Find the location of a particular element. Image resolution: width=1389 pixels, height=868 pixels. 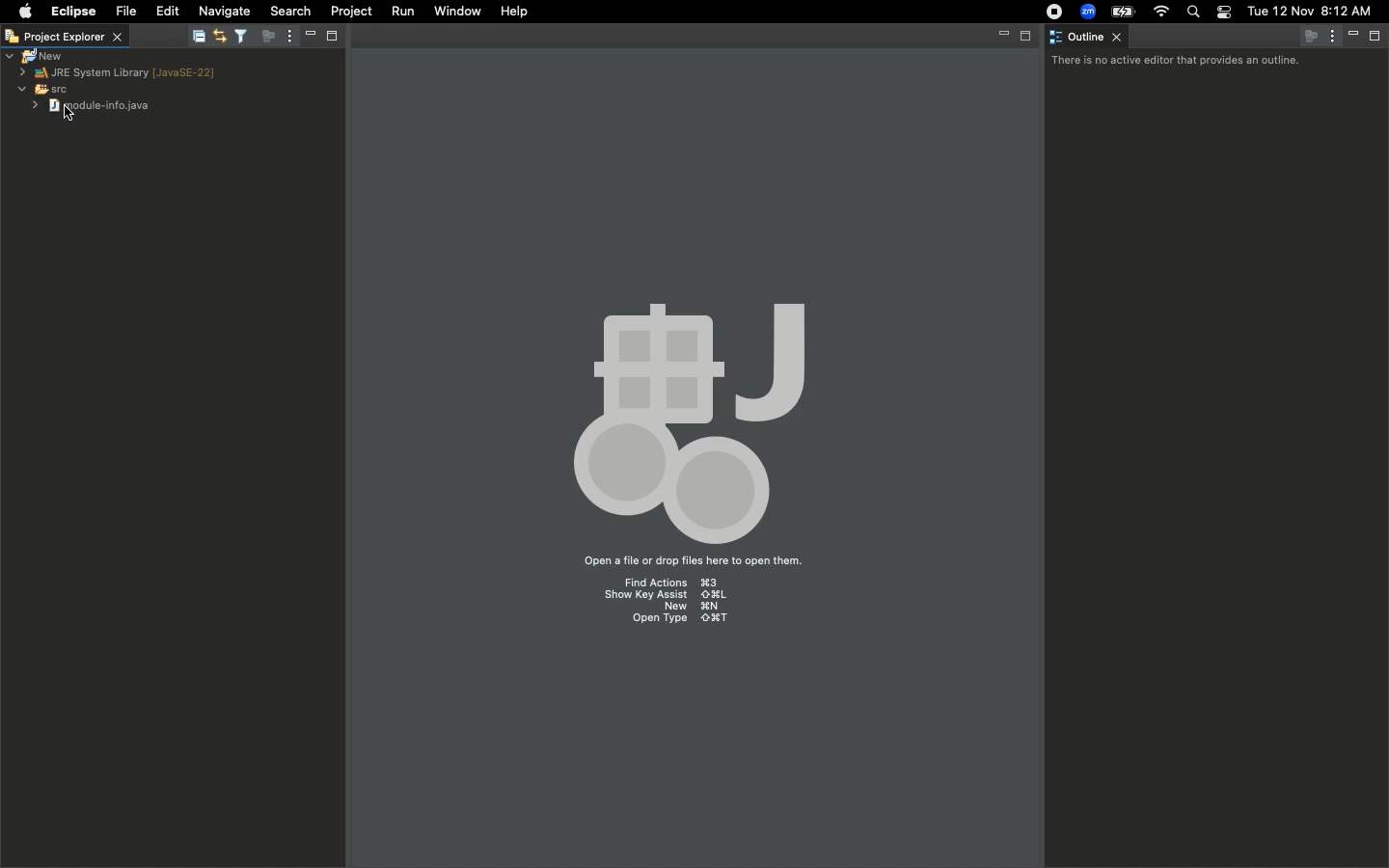

Navigate is located at coordinates (222, 12).